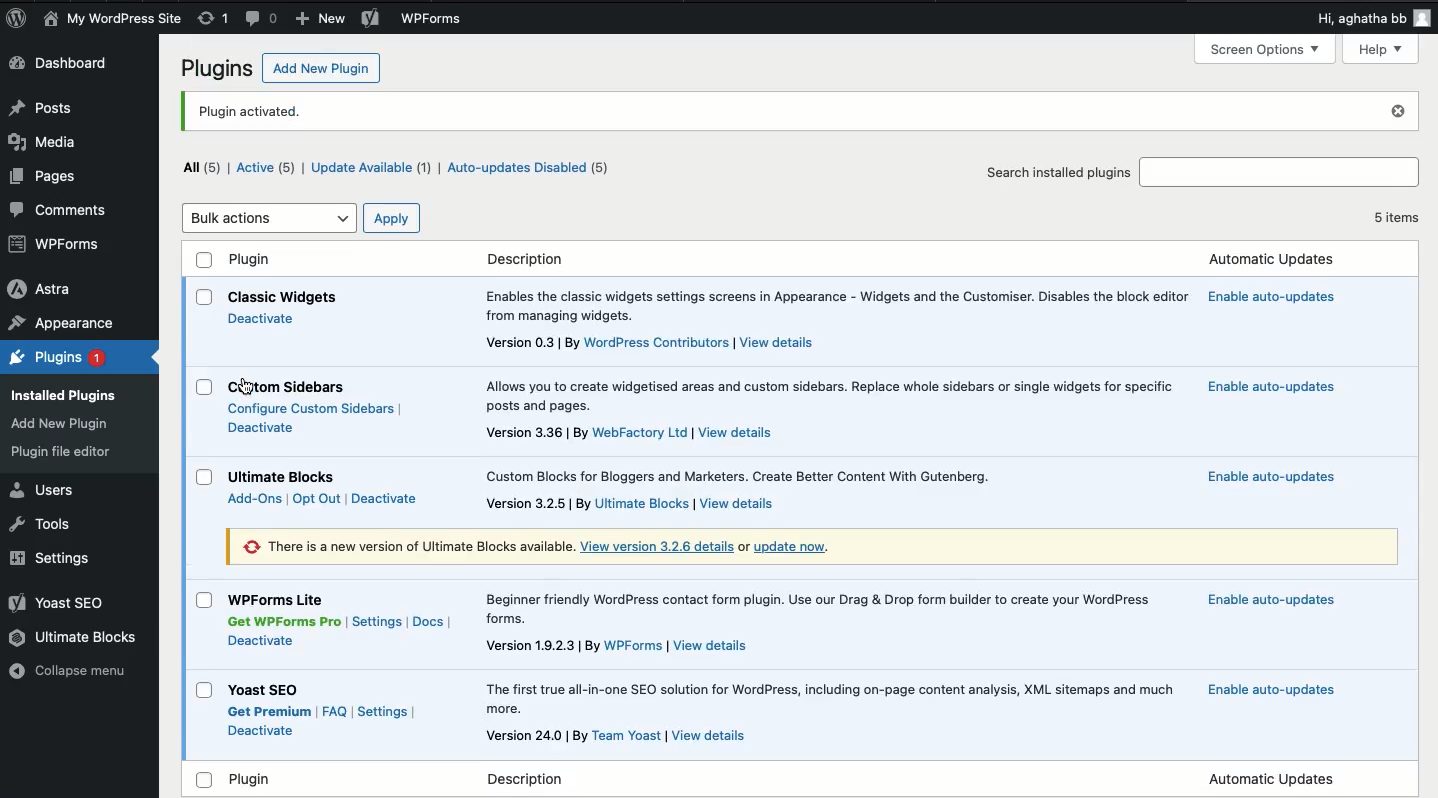  What do you see at coordinates (261, 20) in the screenshot?
I see `Comment` at bounding box center [261, 20].